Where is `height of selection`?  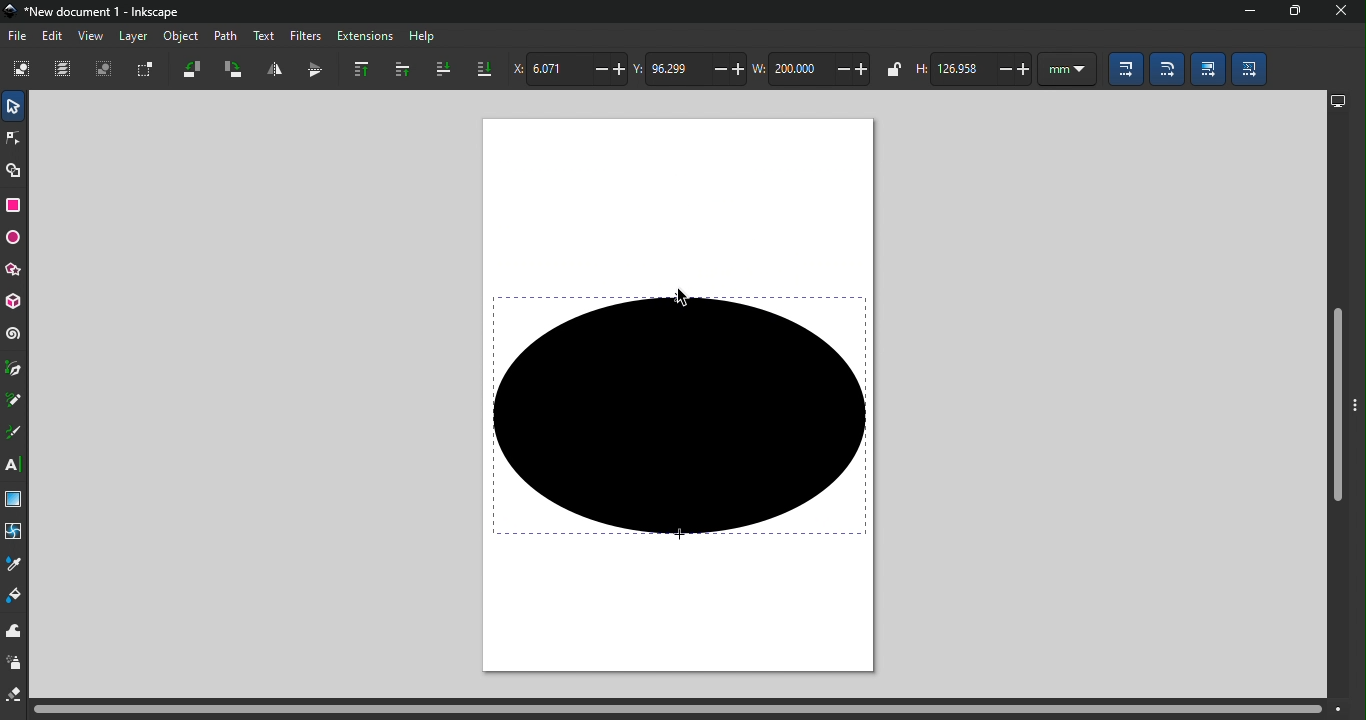 height of selection is located at coordinates (972, 68).